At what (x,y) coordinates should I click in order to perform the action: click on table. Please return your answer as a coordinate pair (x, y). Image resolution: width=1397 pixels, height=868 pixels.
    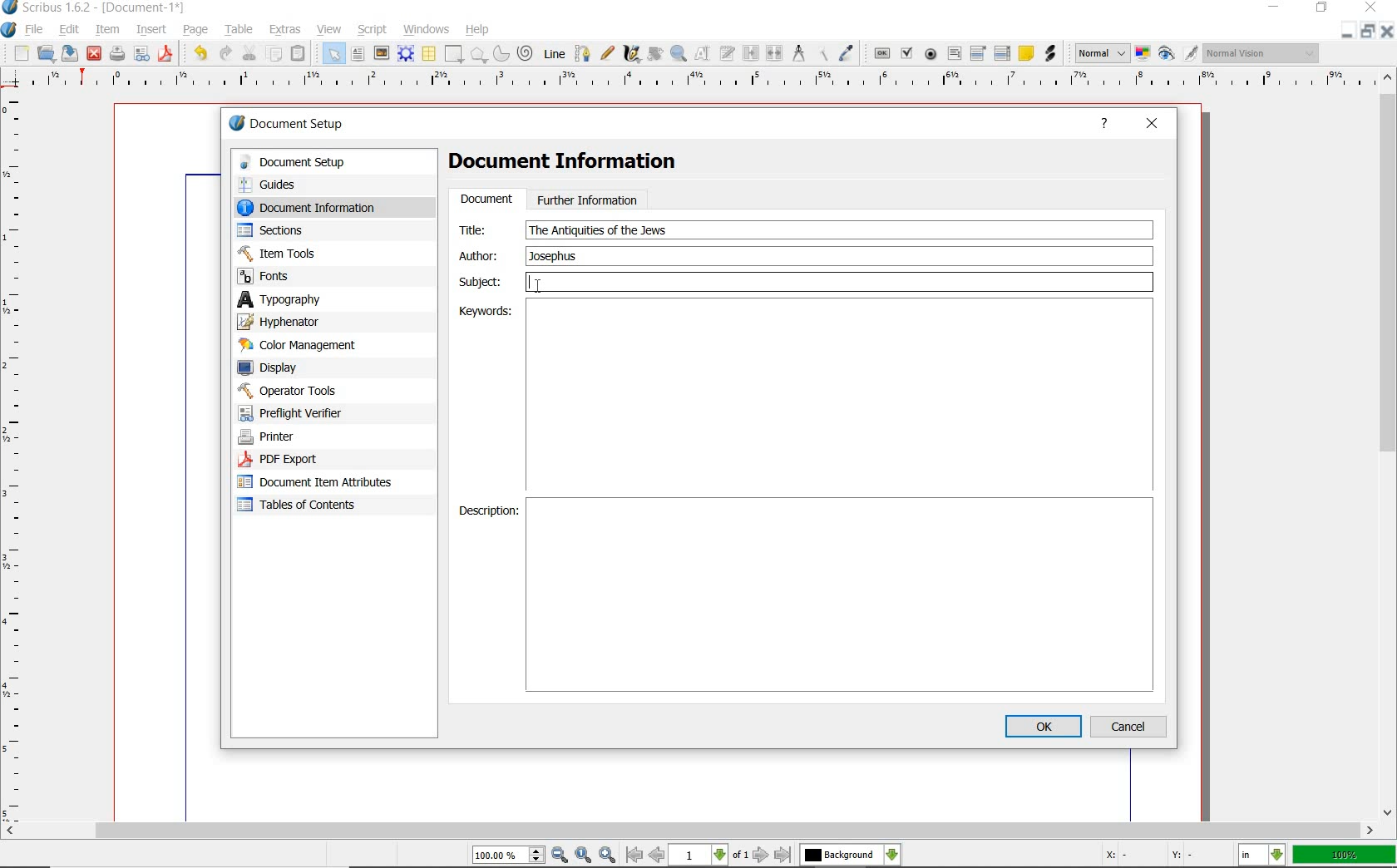
    Looking at the image, I should click on (239, 29).